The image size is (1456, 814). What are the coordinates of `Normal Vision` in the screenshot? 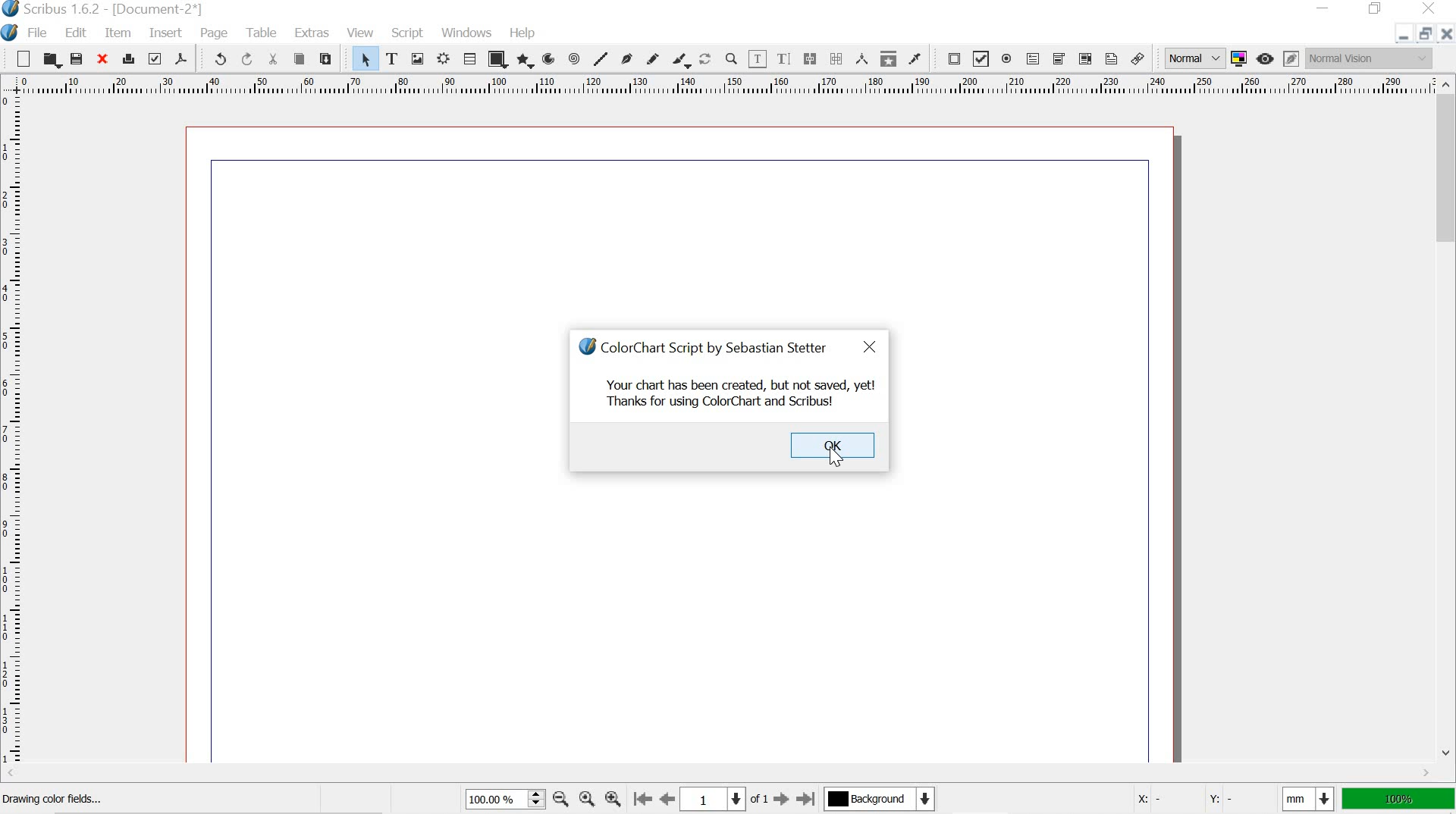 It's located at (1369, 58).